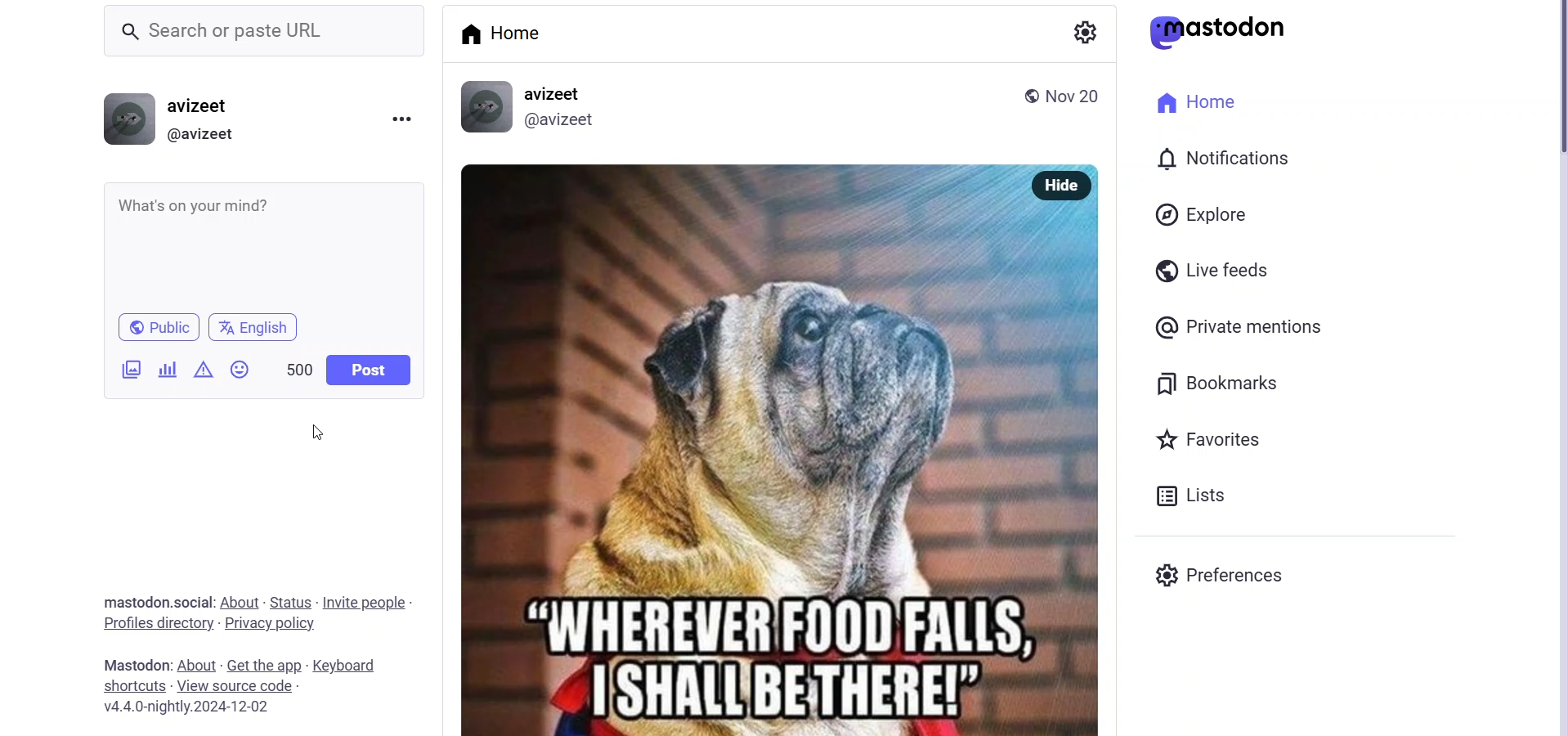  What do you see at coordinates (157, 625) in the screenshot?
I see `profiles directory` at bounding box center [157, 625].